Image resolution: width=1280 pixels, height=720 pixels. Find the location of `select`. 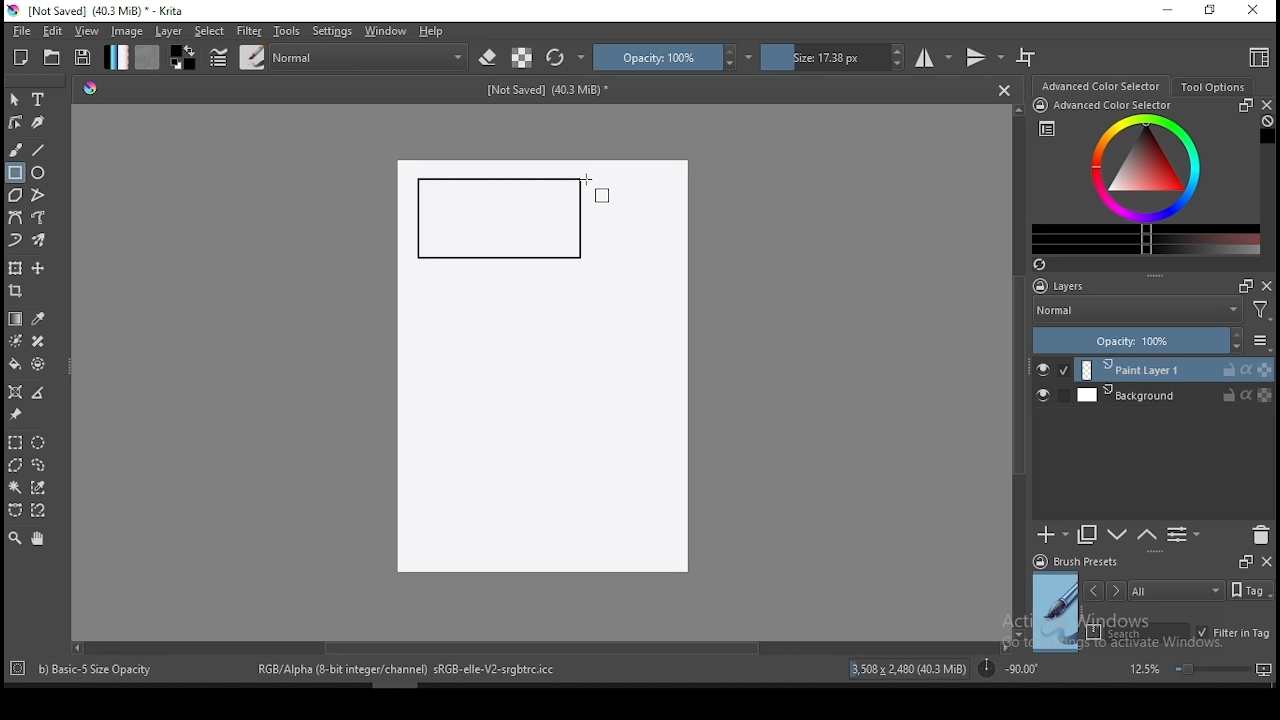

select is located at coordinates (210, 31).